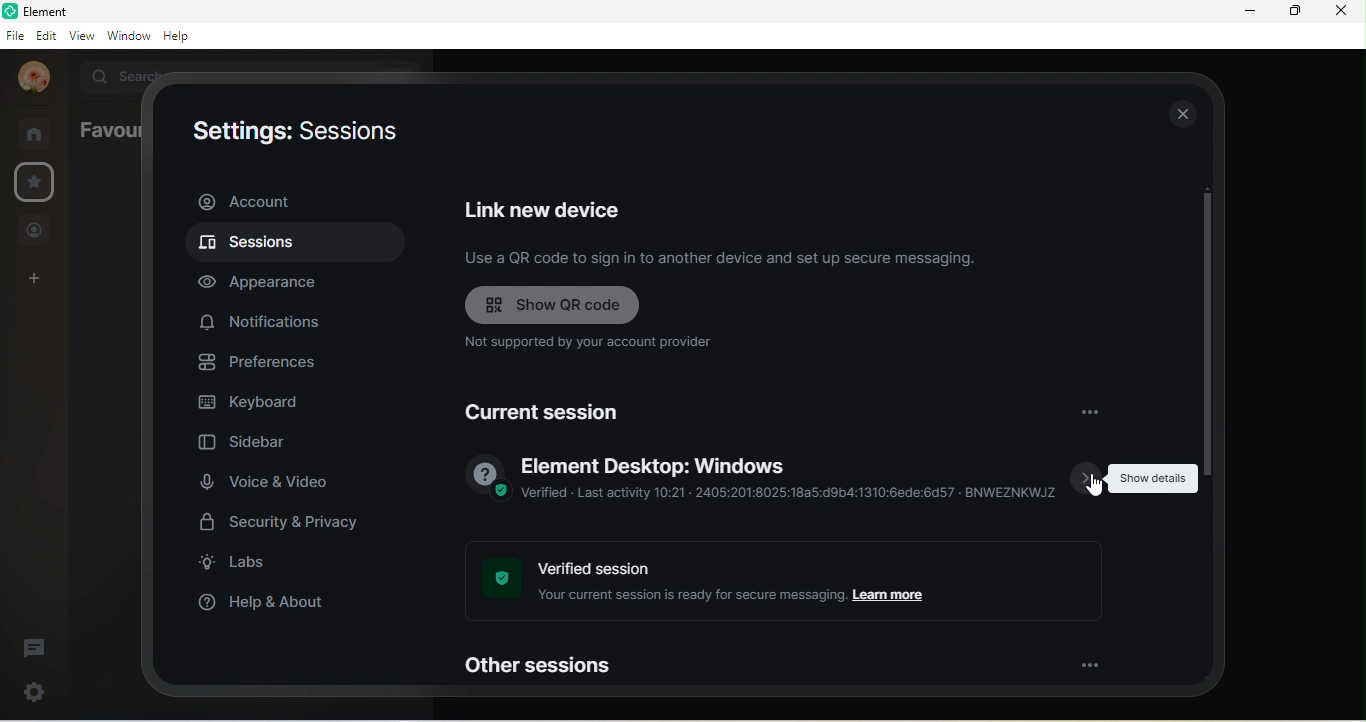 This screenshot has height=722, width=1366. I want to click on verified-last activity 10.21 2405:201:8025:18a5:d8b4:1310:6ede:6d57 bnweznkwjz, so click(791, 494).